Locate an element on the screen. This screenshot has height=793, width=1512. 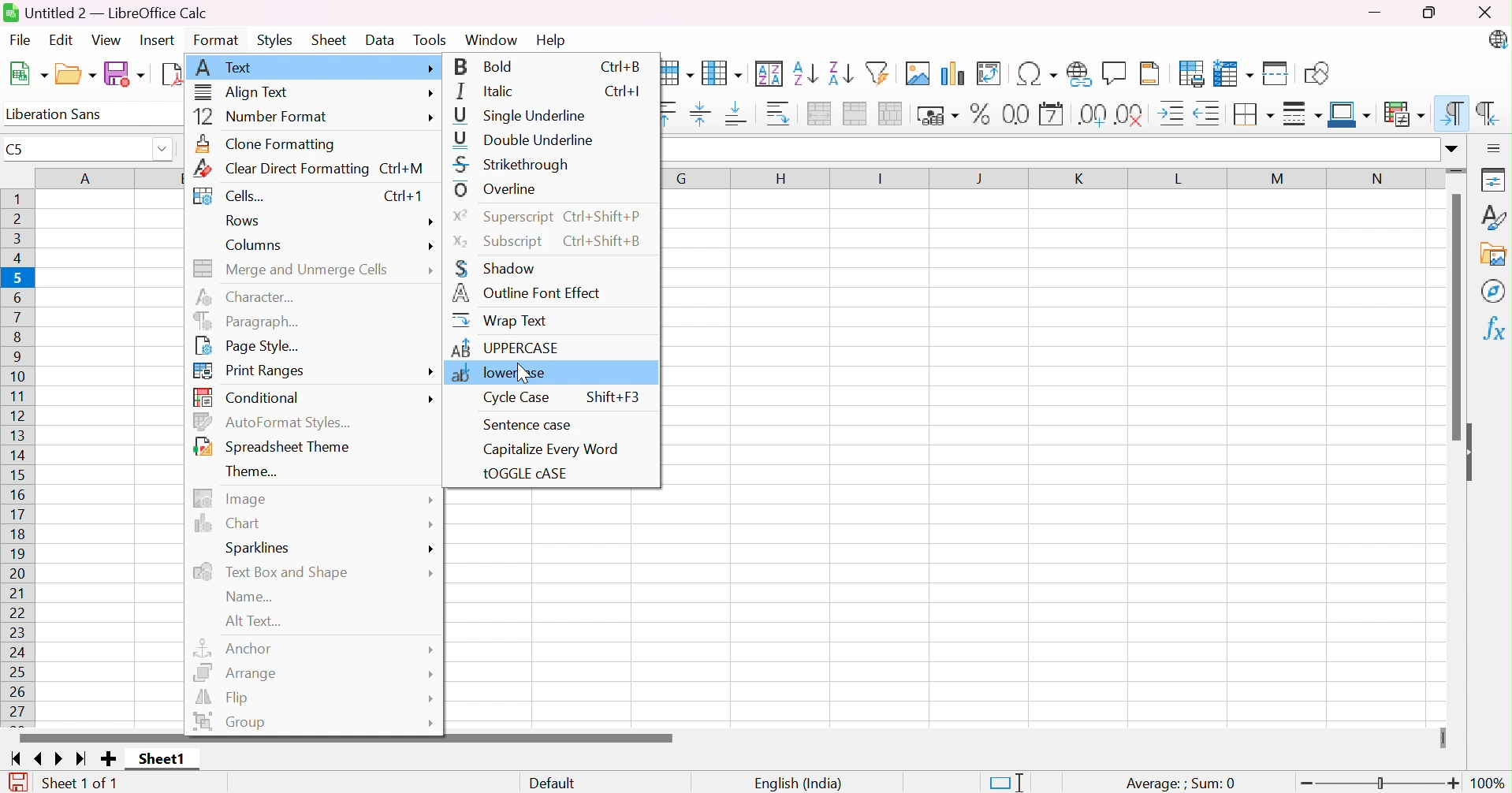
Shadow is located at coordinates (493, 268).